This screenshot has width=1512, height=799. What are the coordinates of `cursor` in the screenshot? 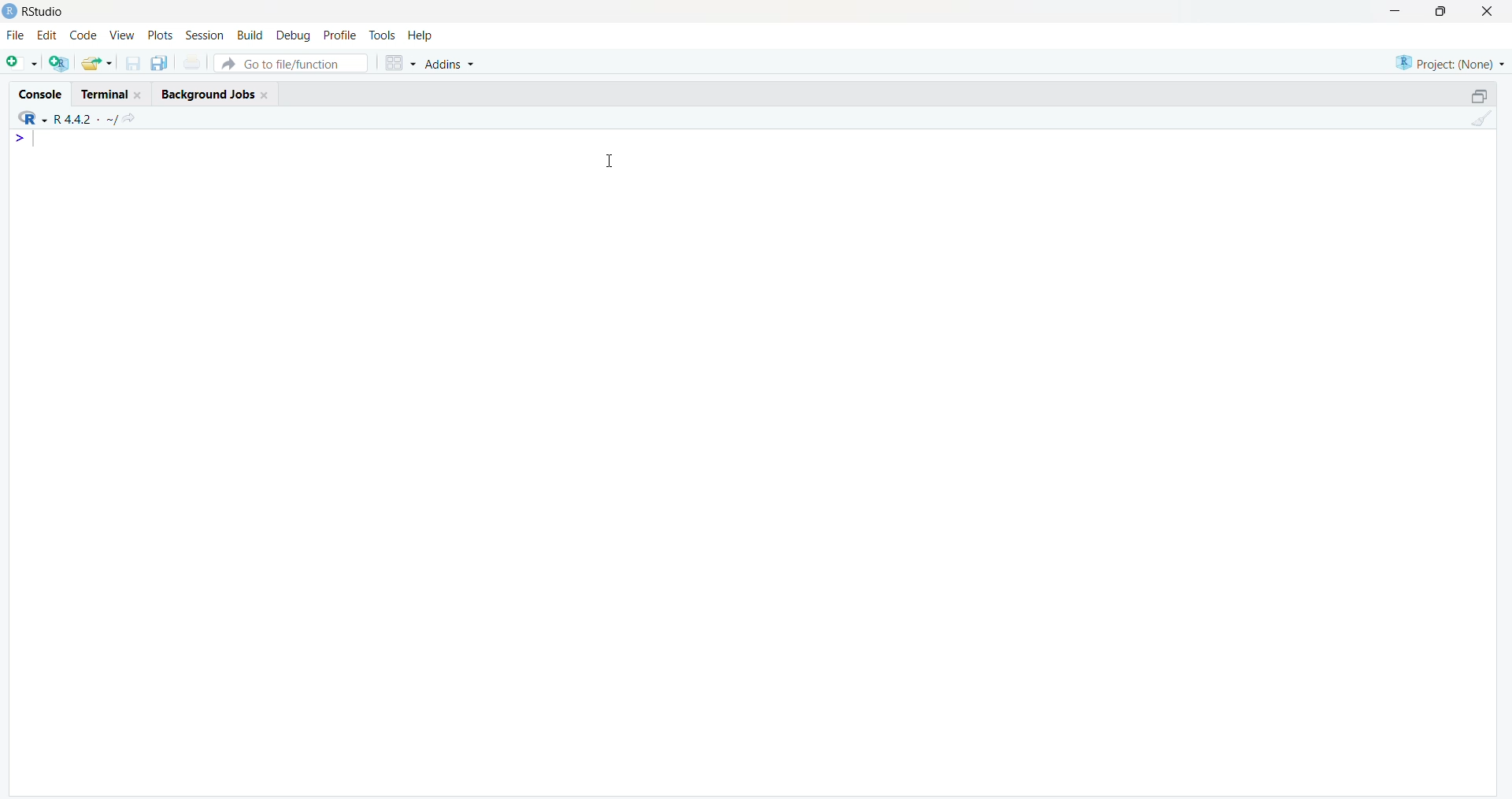 It's located at (610, 162).